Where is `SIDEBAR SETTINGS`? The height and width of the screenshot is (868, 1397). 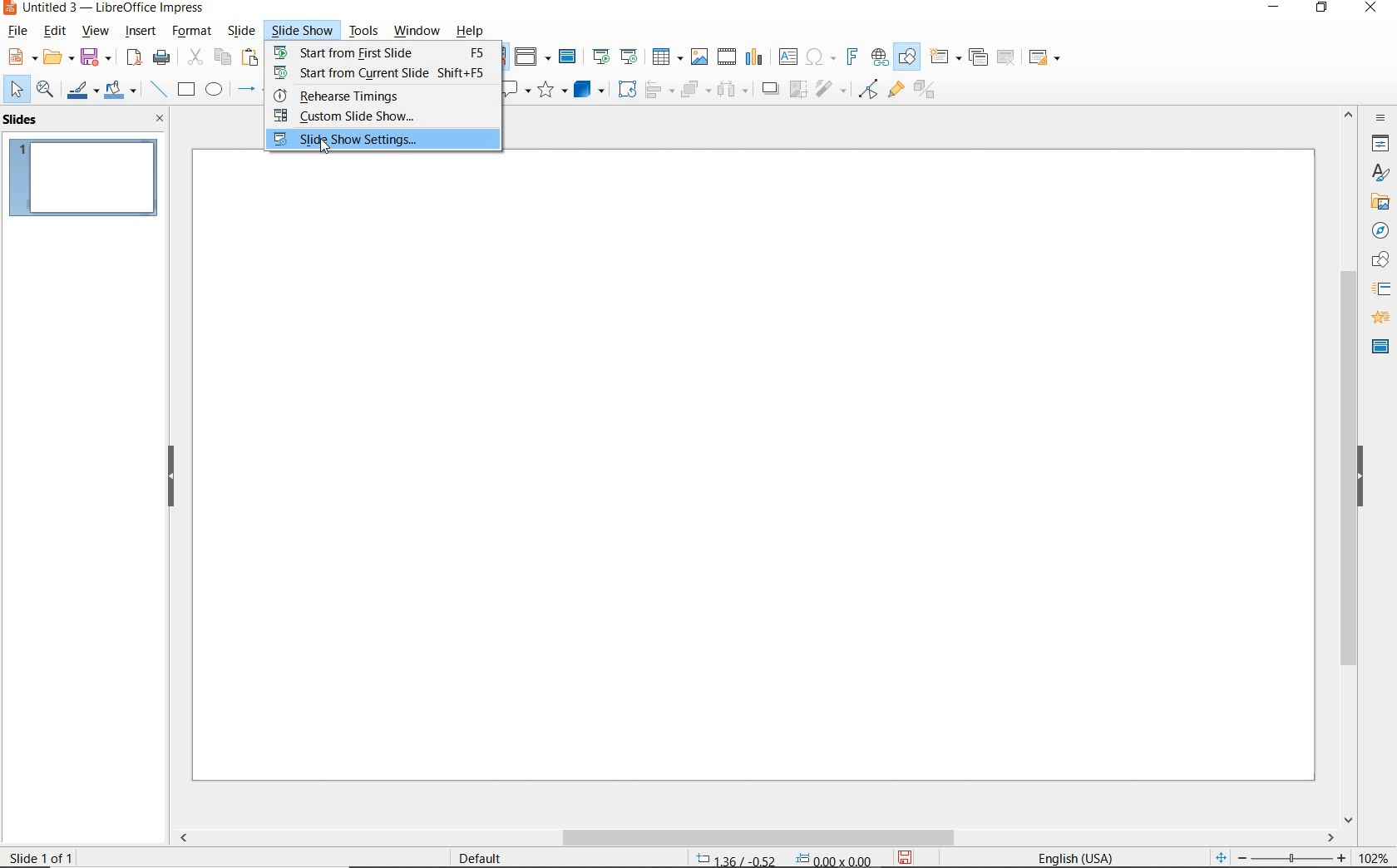
SIDEBAR SETTINGS is located at coordinates (1380, 119).